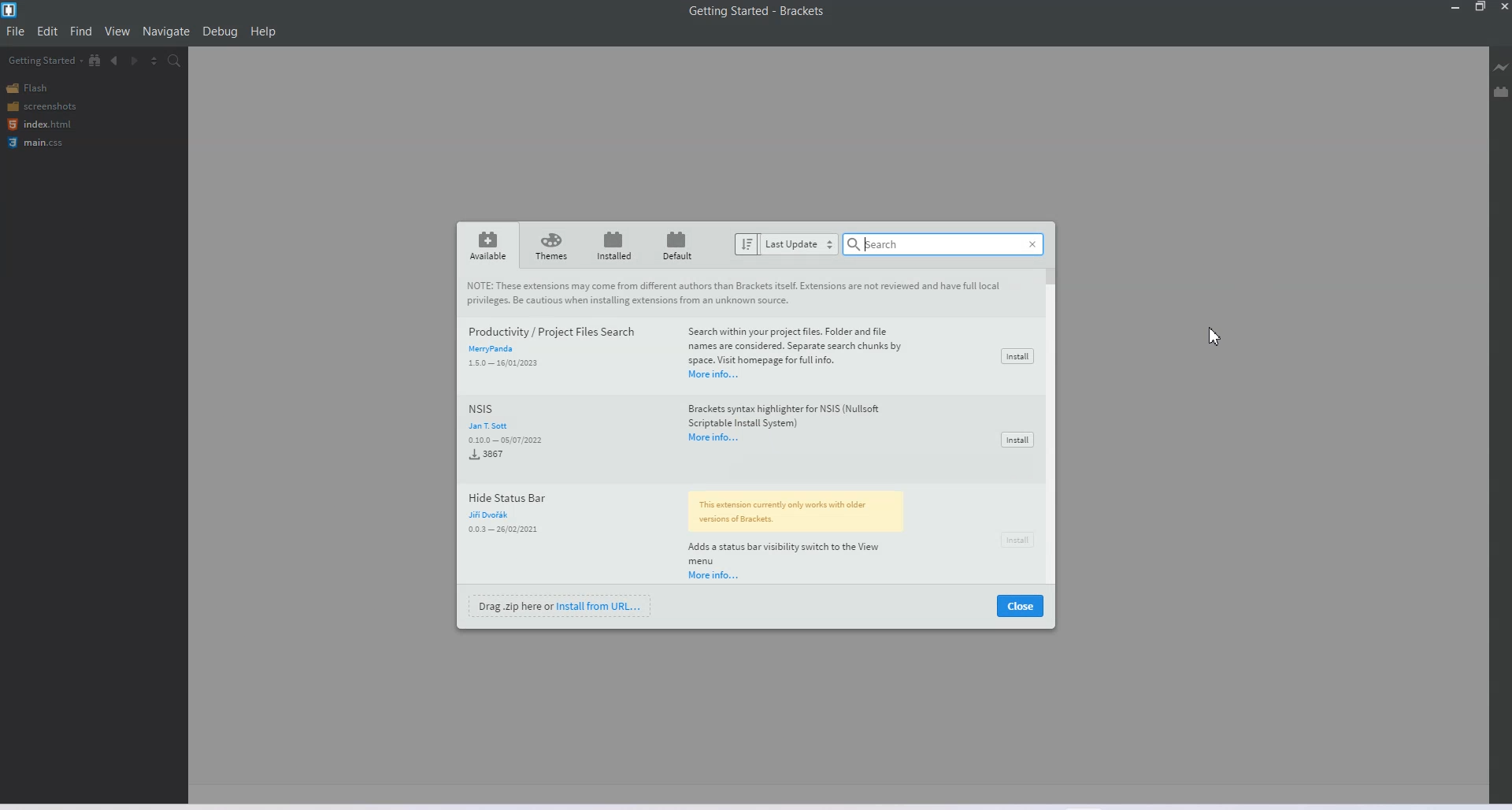  What do you see at coordinates (1017, 439) in the screenshot?
I see `install` at bounding box center [1017, 439].